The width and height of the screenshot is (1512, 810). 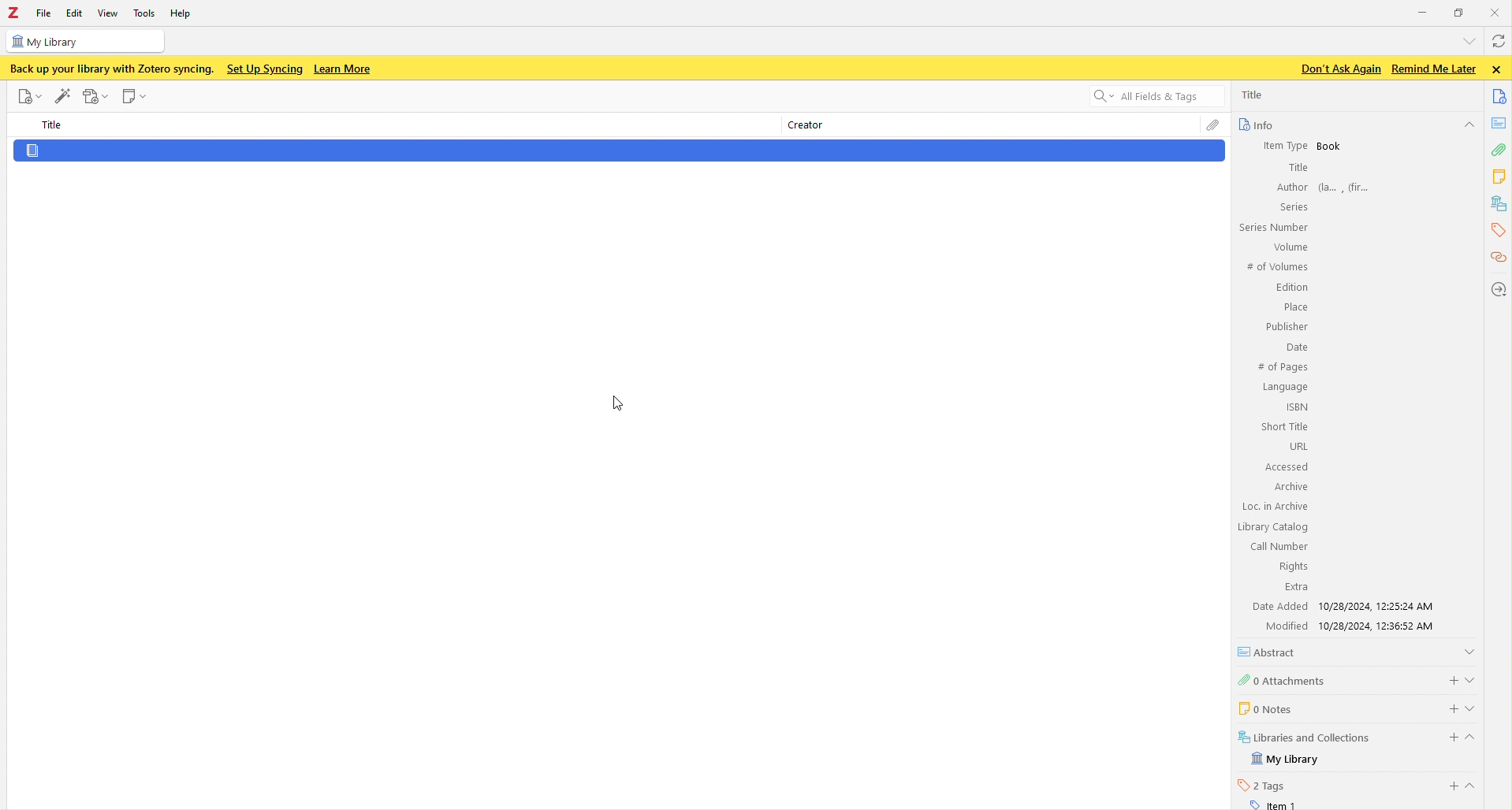 What do you see at coordinates (1289, 486) in the screenshot?
I see `Archive` at bounding box center [1289, 486].